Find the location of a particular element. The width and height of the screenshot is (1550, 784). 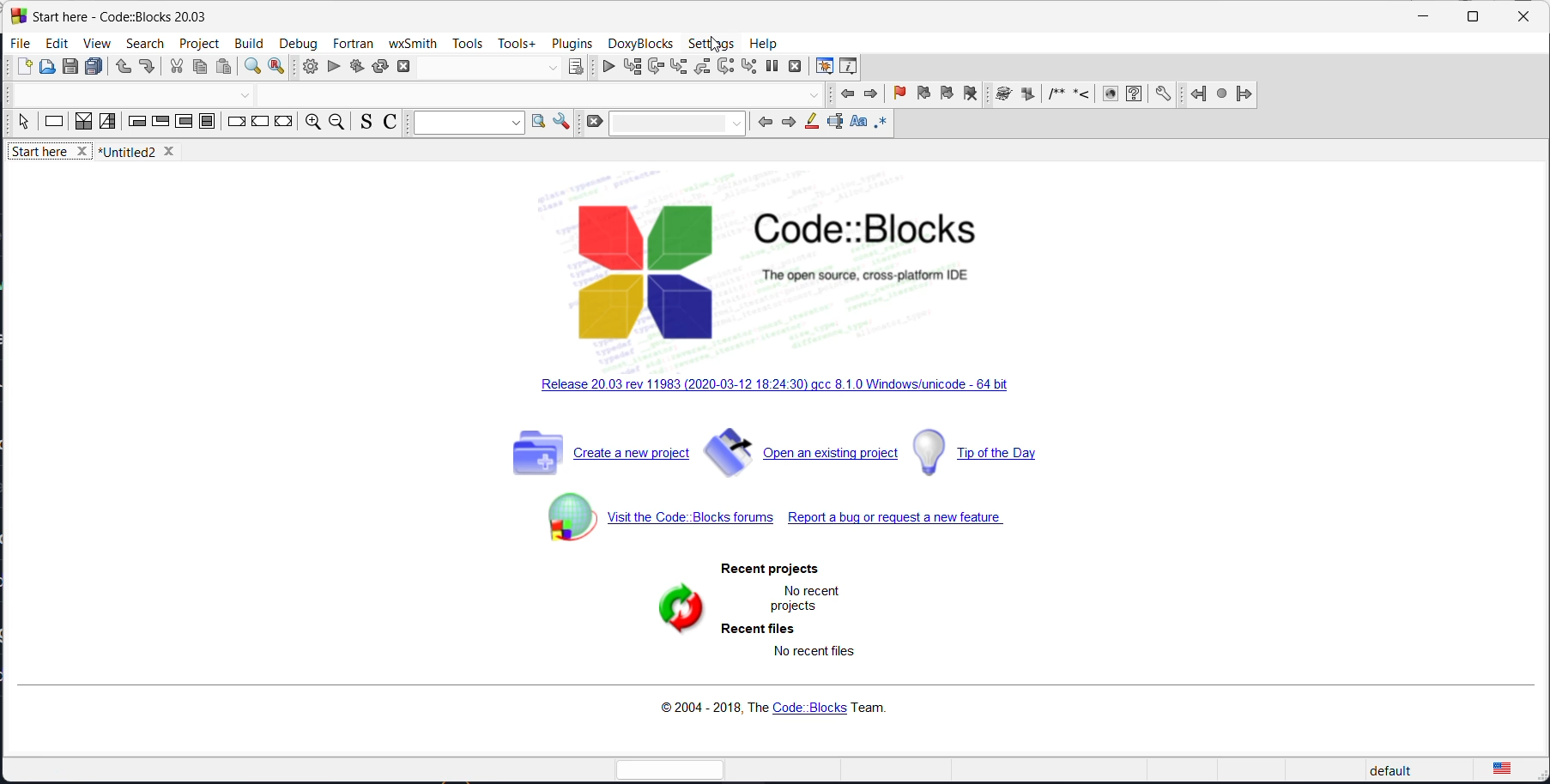

copyright is located at coordinates (769, 709).